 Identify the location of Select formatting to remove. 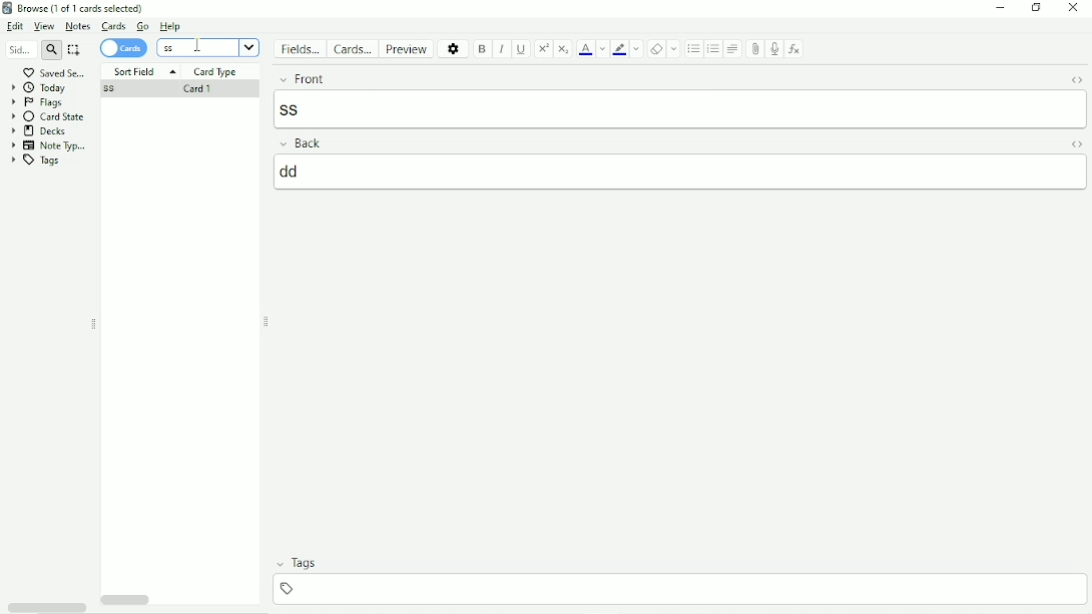
(675, 49).